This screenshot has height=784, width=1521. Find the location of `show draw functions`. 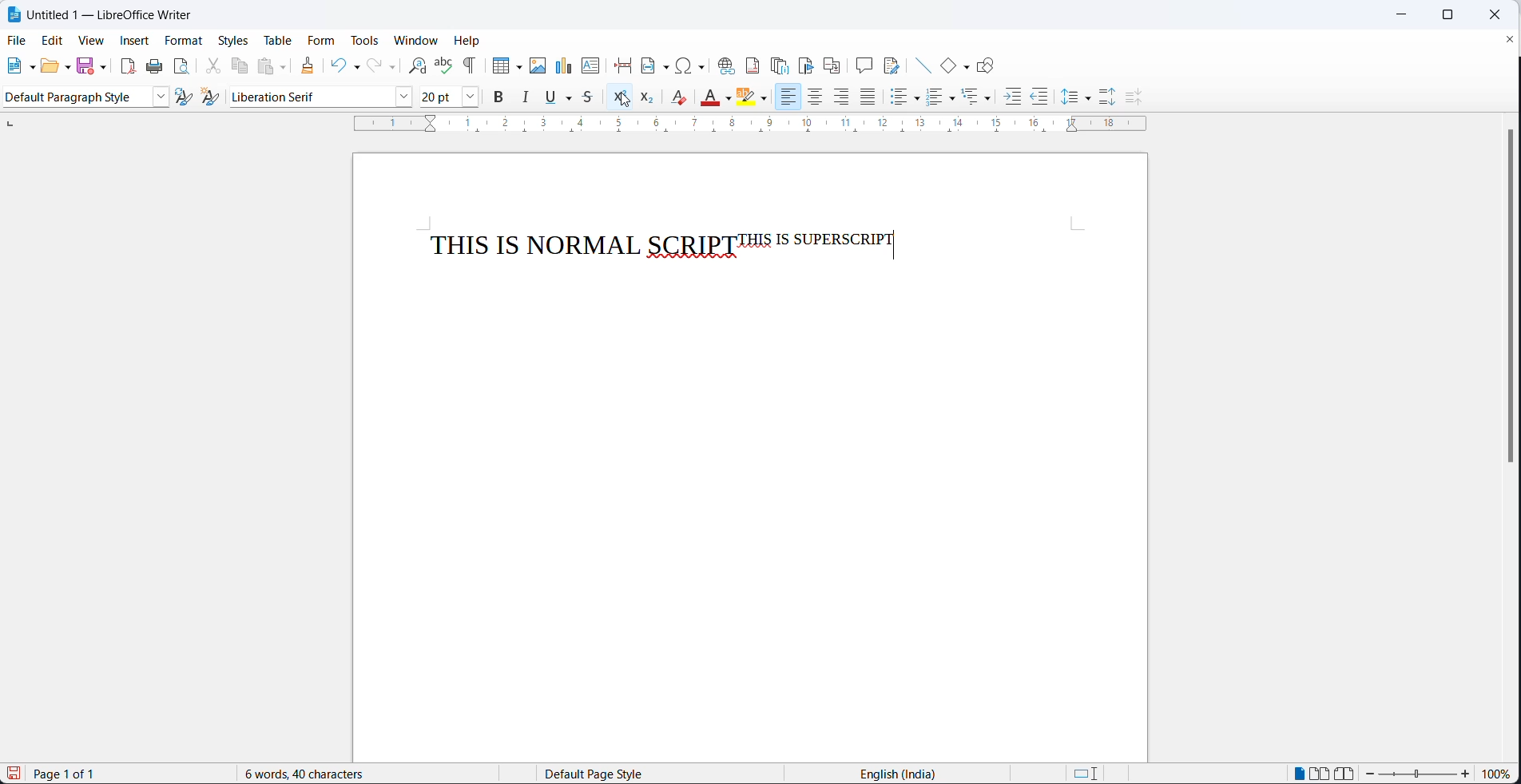

show draw functions is located at coordinates (989, 62).